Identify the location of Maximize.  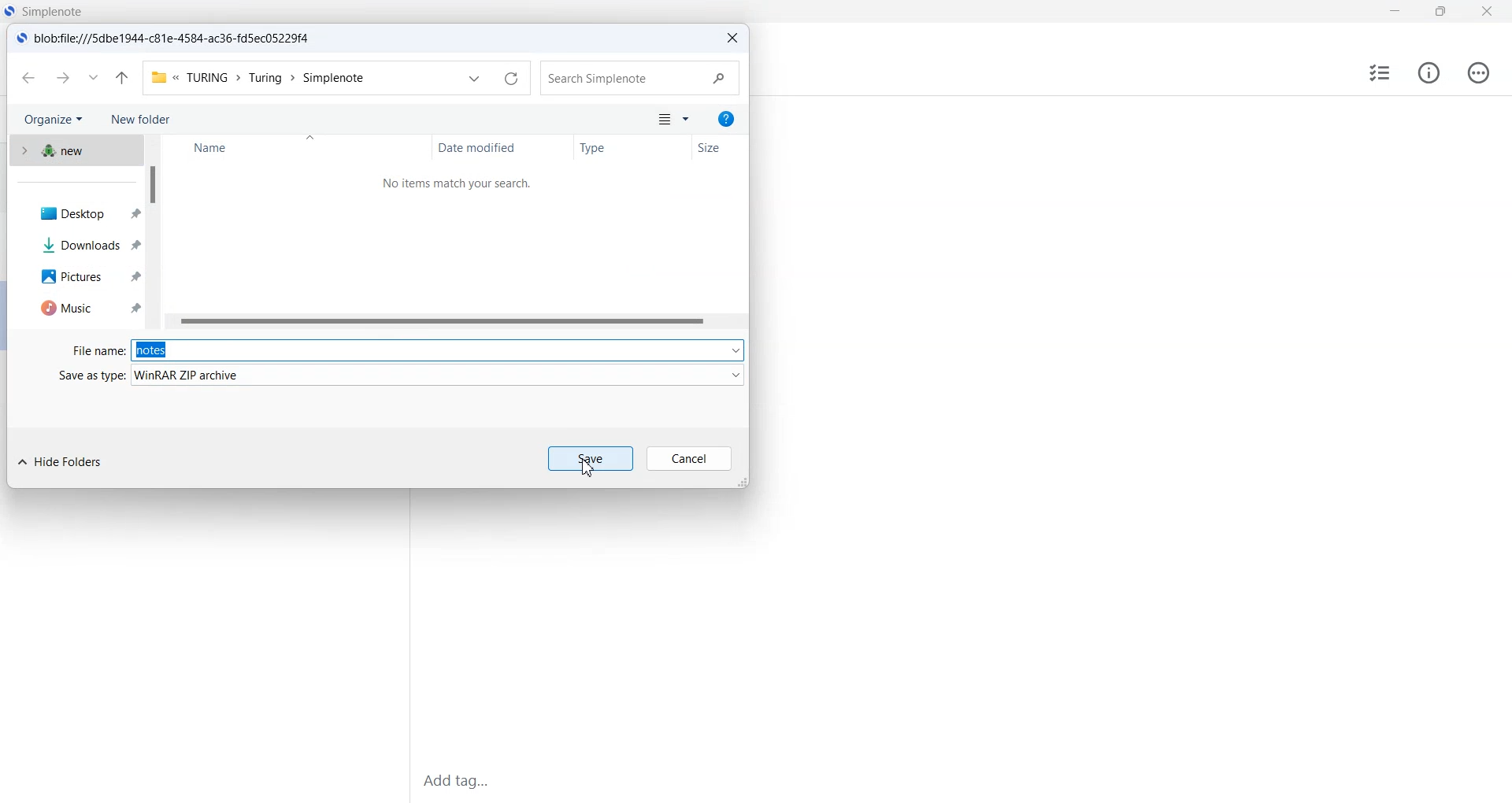
(1439, 12).